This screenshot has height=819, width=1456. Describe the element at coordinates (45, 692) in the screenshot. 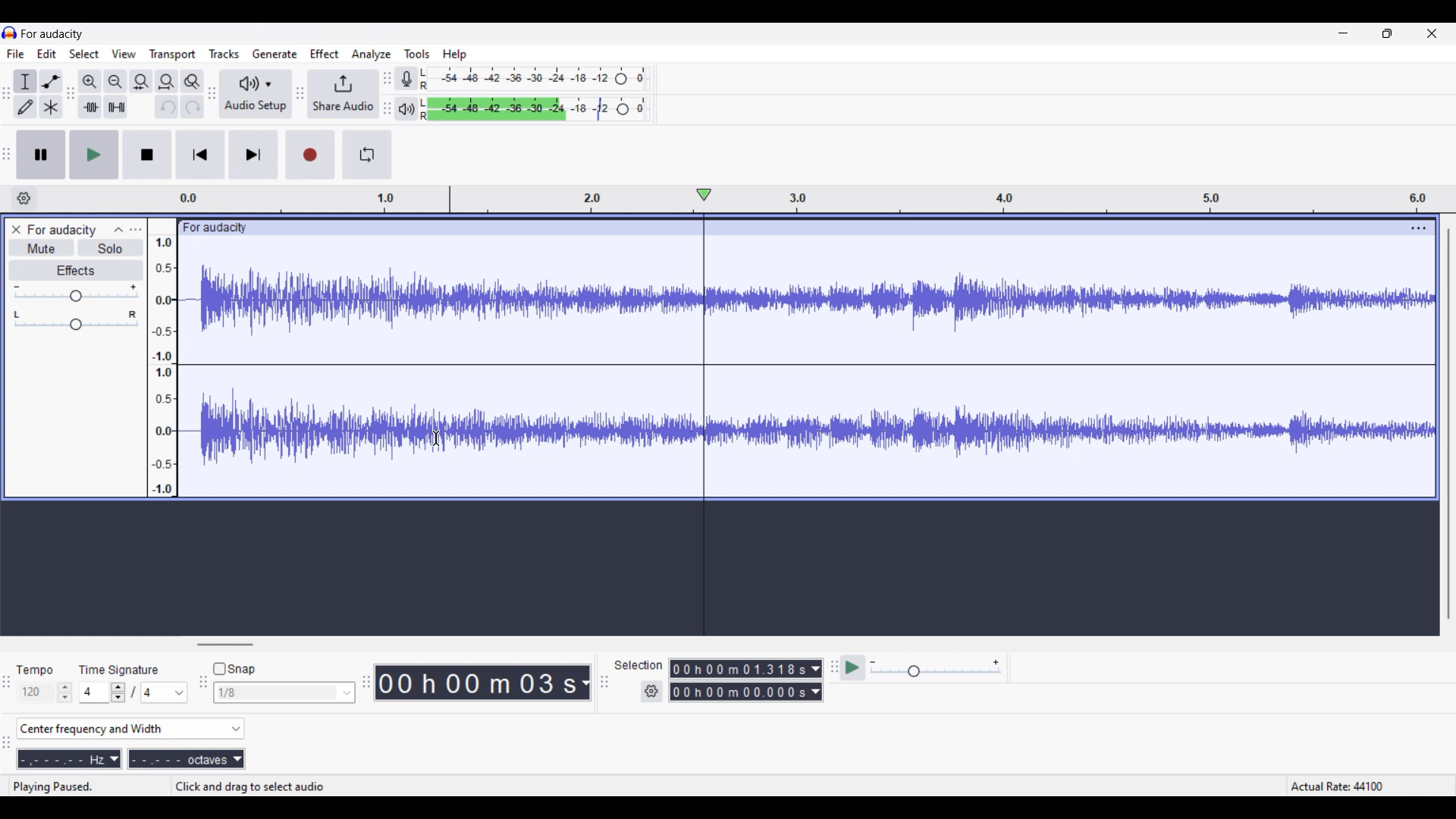

I see `Tempo settings` at that location.